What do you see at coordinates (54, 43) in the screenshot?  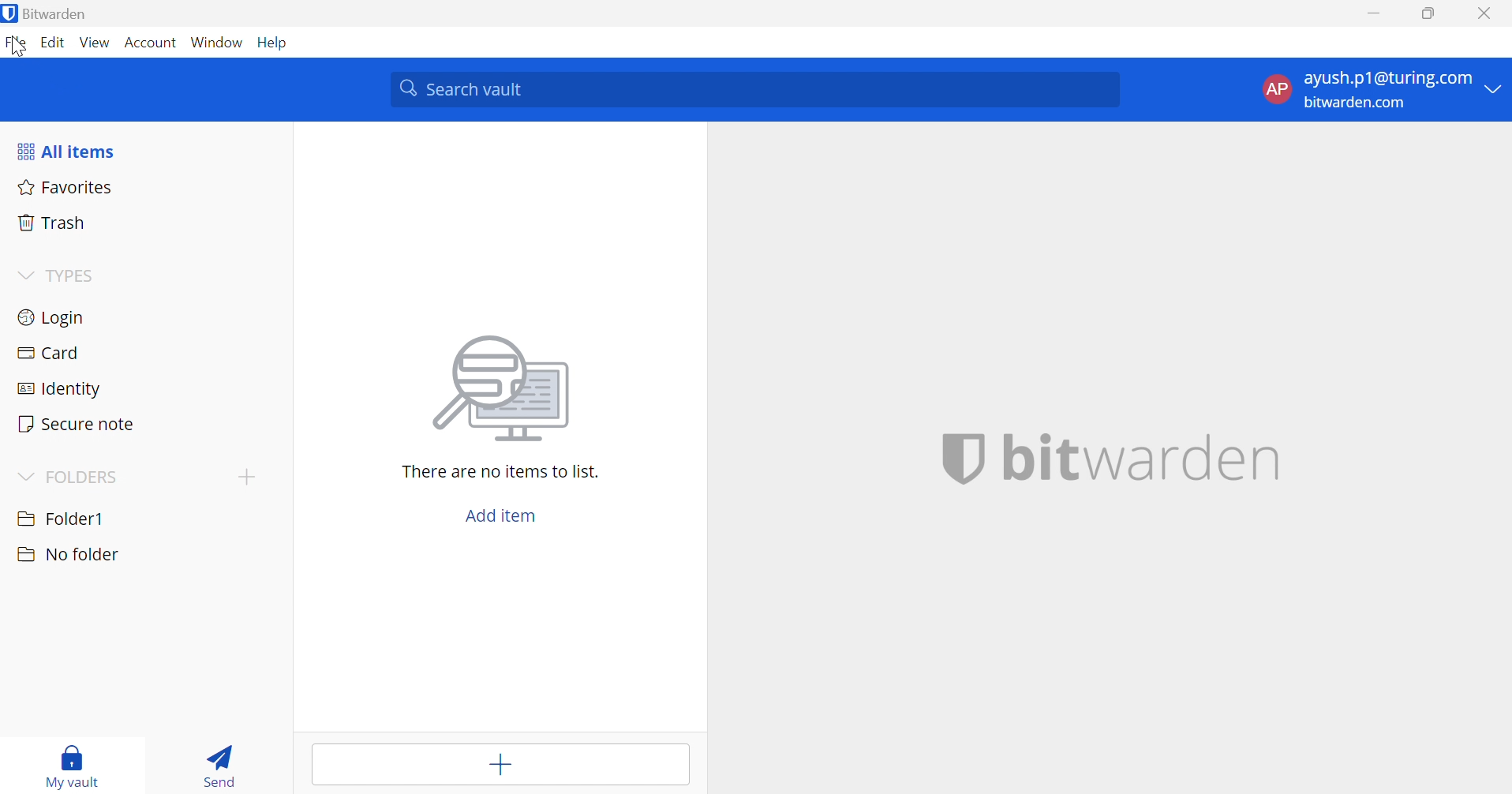 I see `Edit` at bounding box center [54, 43].